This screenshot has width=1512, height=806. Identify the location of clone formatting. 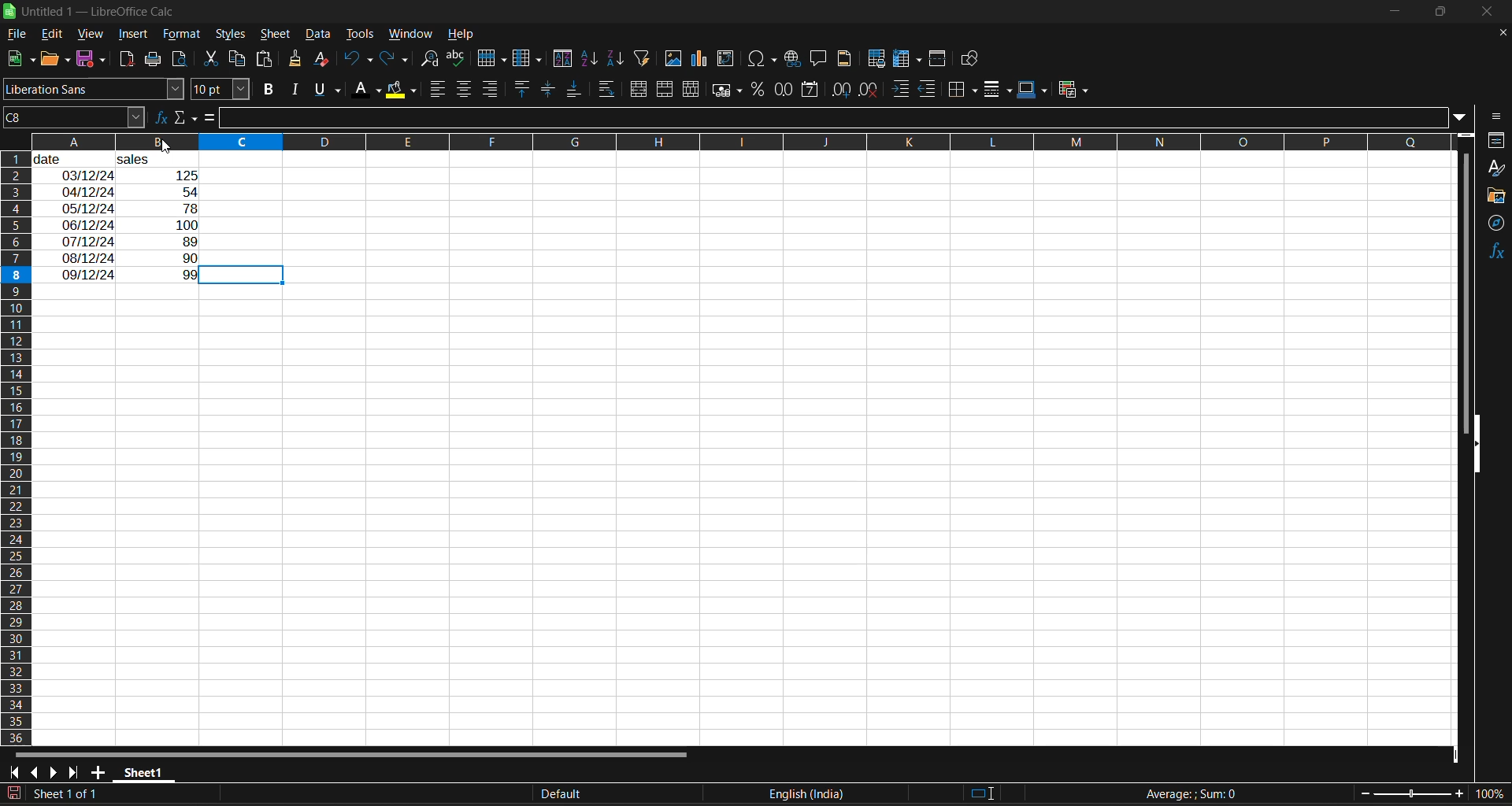
(298, 60).